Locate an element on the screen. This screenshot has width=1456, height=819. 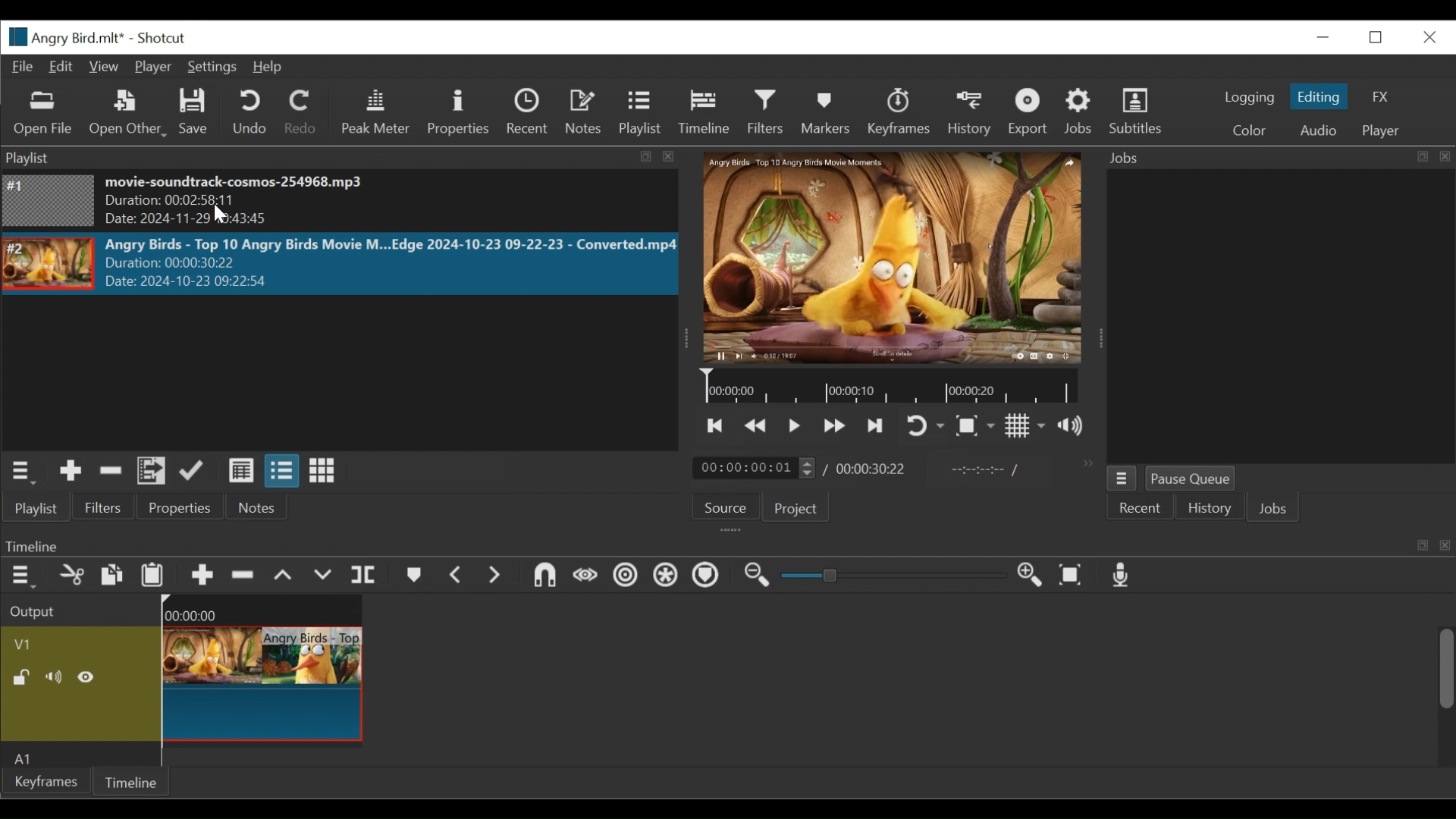
Save is located at coordinates (196, 113).